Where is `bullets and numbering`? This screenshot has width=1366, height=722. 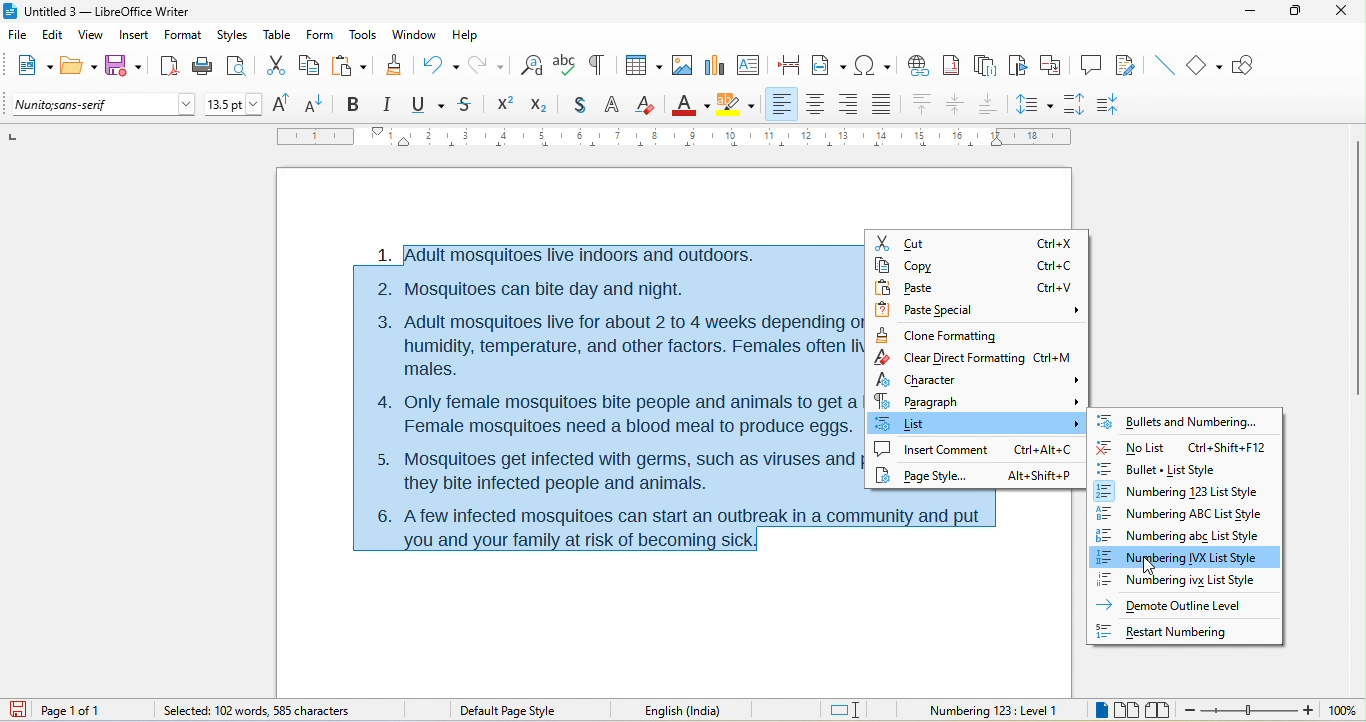 bullets and numbering is located at coordinates (1181, 419).